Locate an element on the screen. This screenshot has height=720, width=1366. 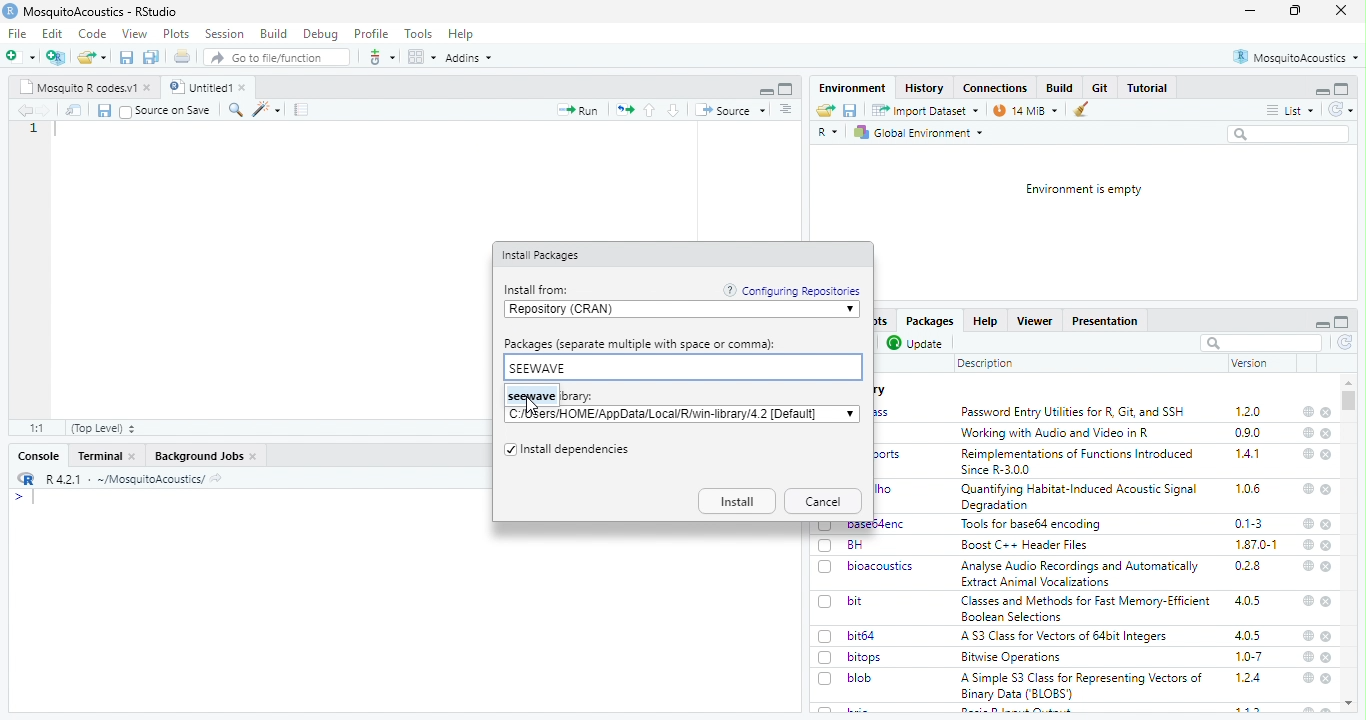
Packages is located at coordinates (931, 321).